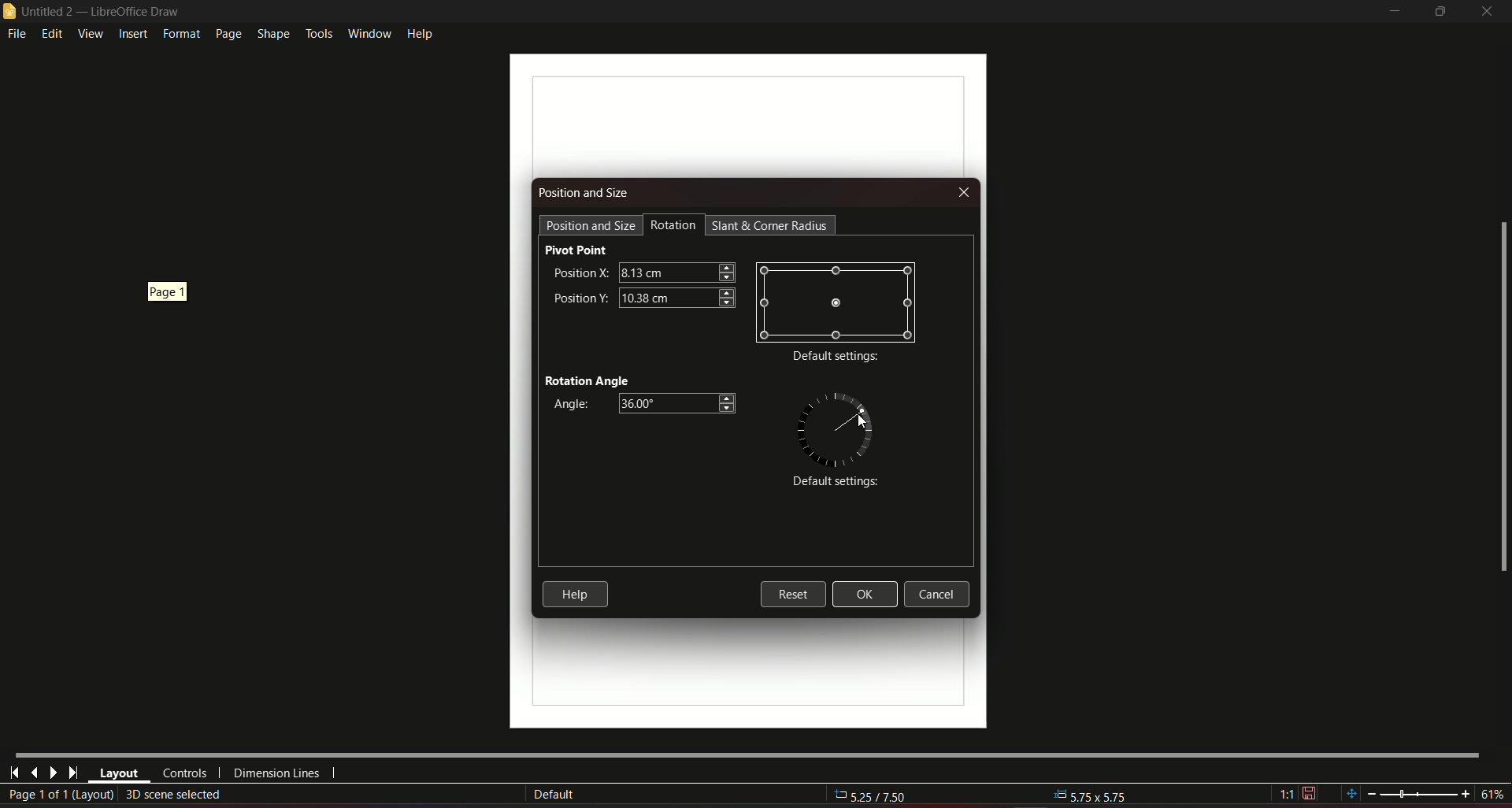 The image size is (1512, 808). I want to click on format, so click(180, 34).